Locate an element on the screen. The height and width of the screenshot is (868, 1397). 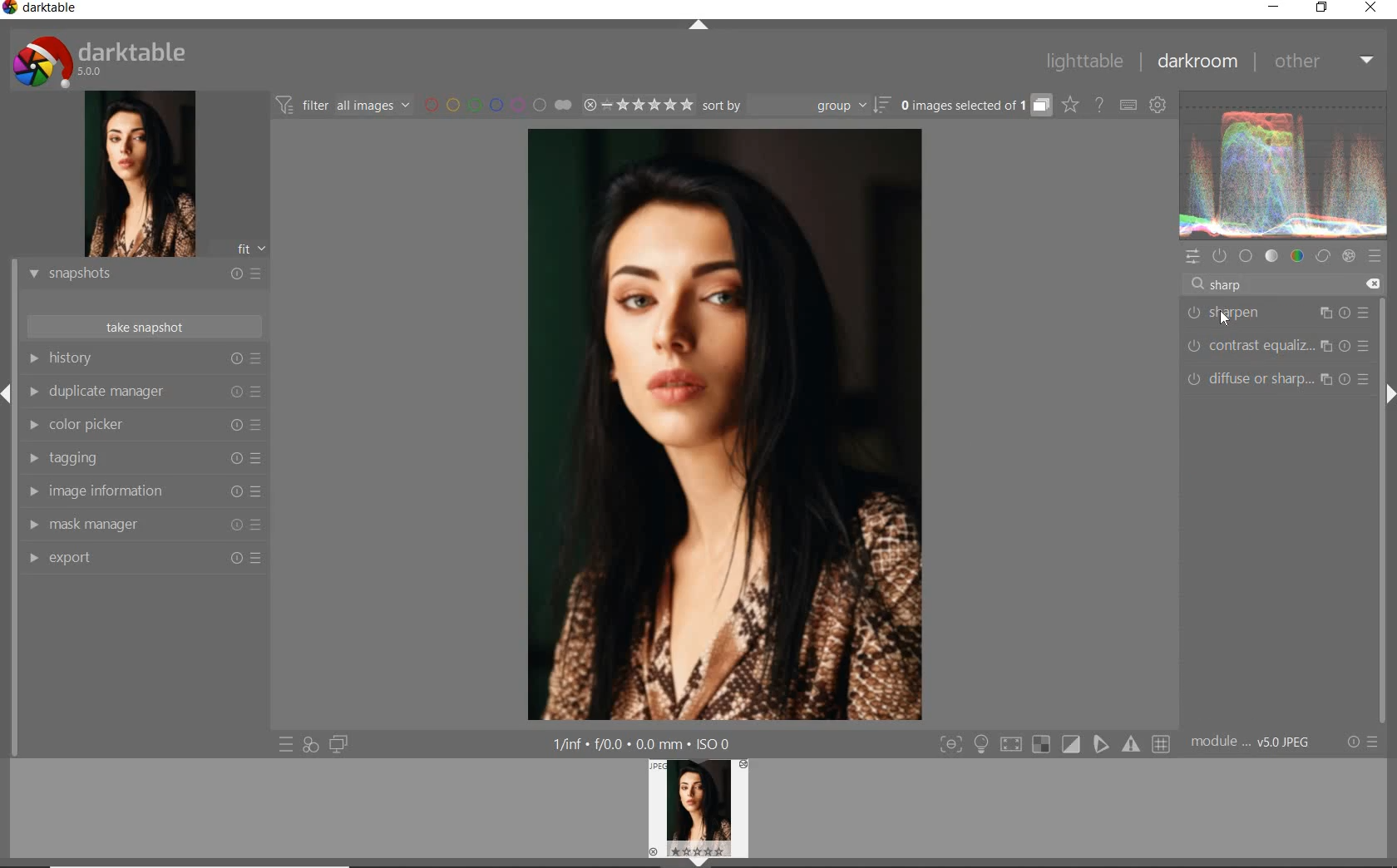
filter all images by module order is located at coordinates (344, 107).